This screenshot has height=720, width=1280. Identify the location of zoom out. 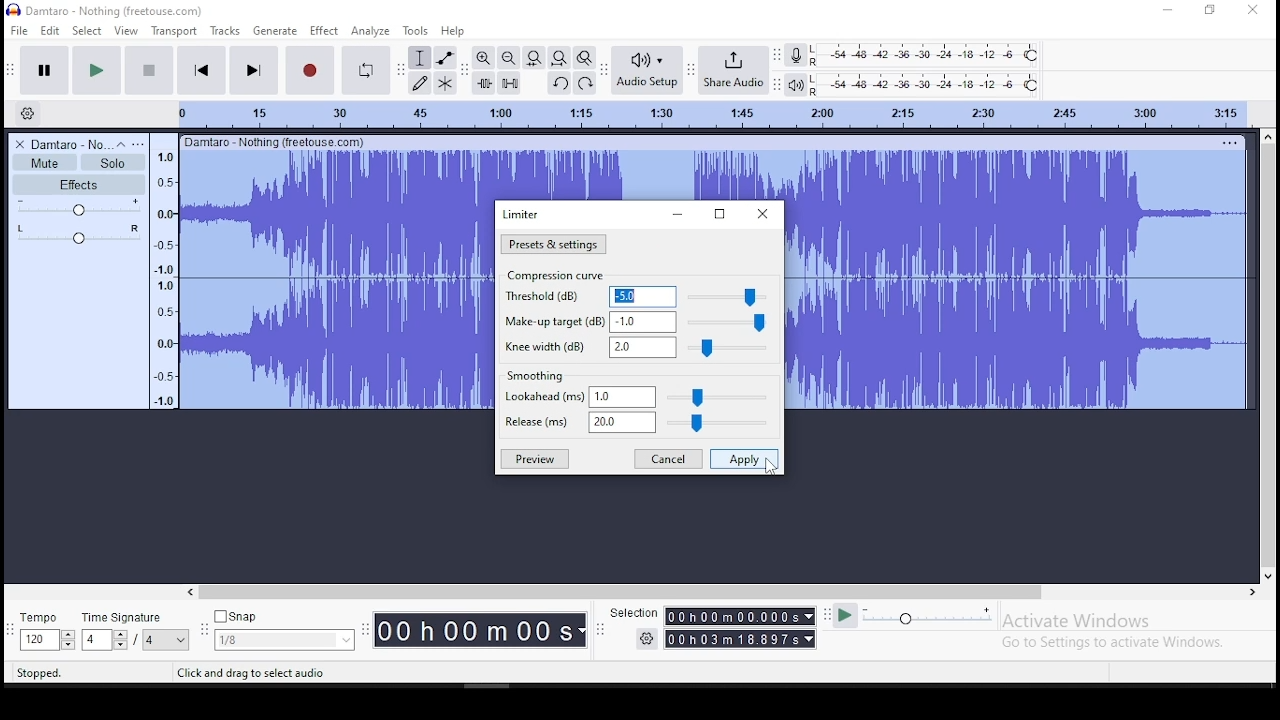
(507, 57).